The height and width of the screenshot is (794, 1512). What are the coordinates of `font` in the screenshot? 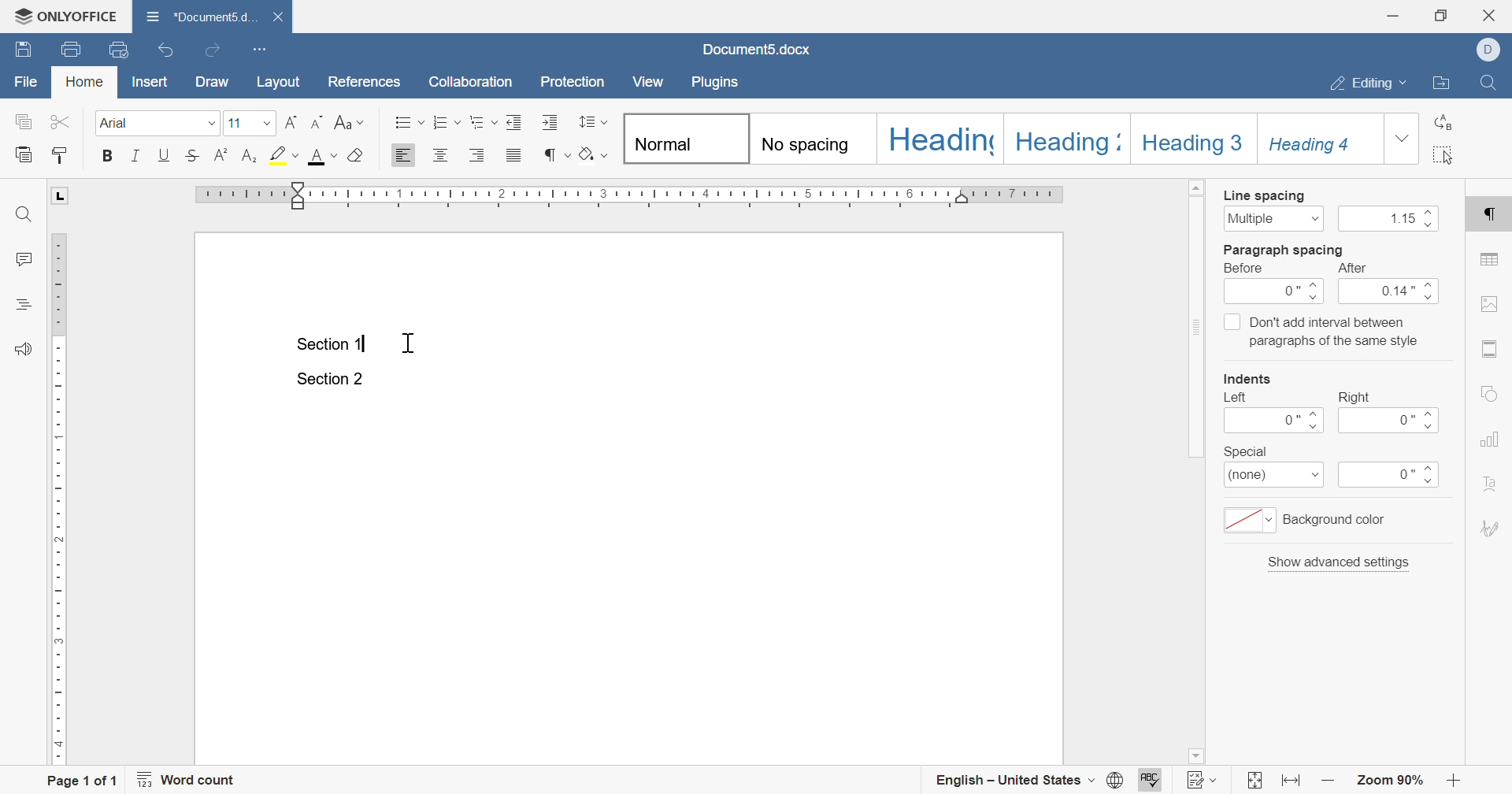 It's located at (118, 123).